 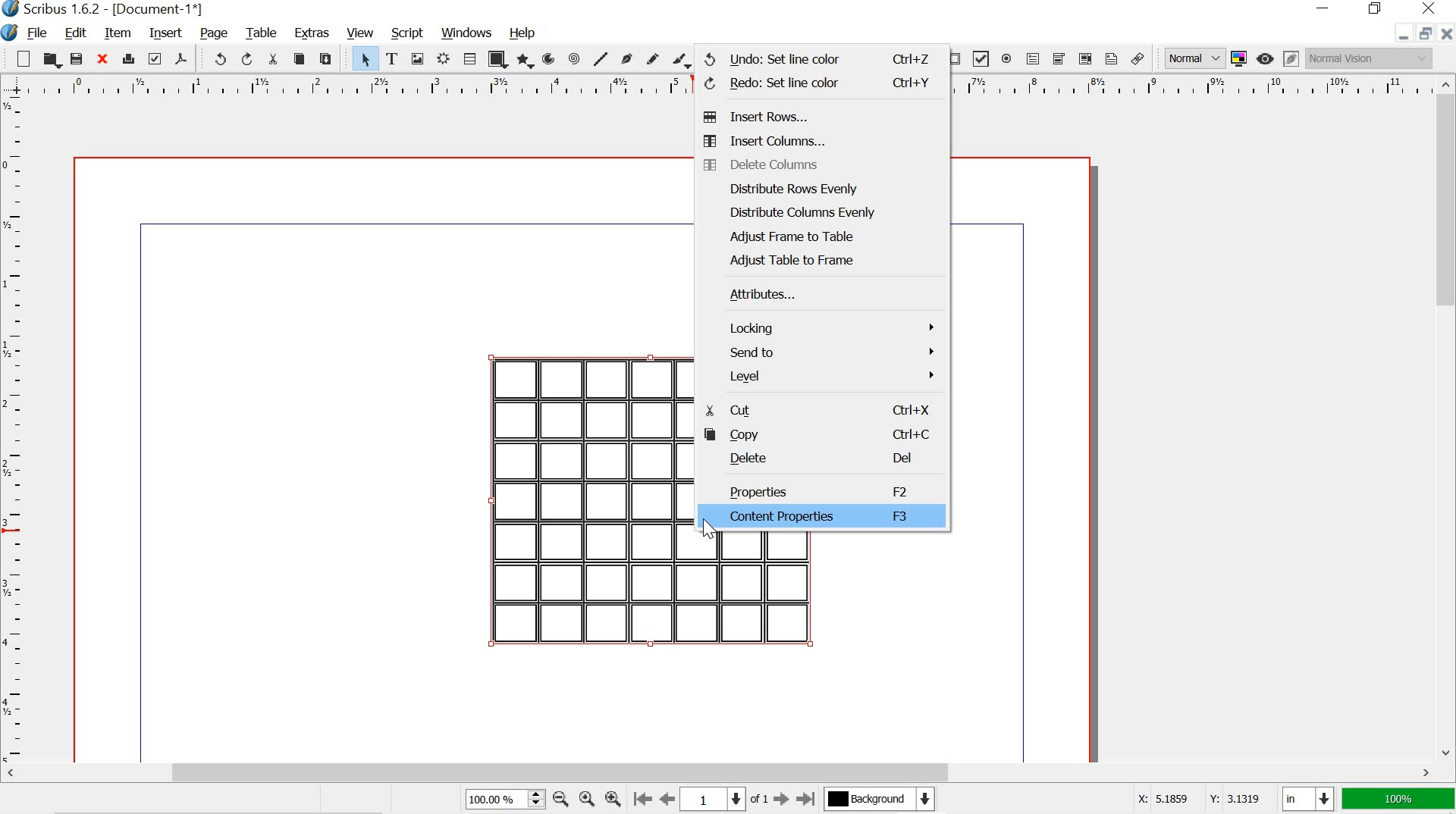 What do you see at coordinates (783, 800) in the screenshot?
I see `go to the next page` at bounding box center [783, 800].